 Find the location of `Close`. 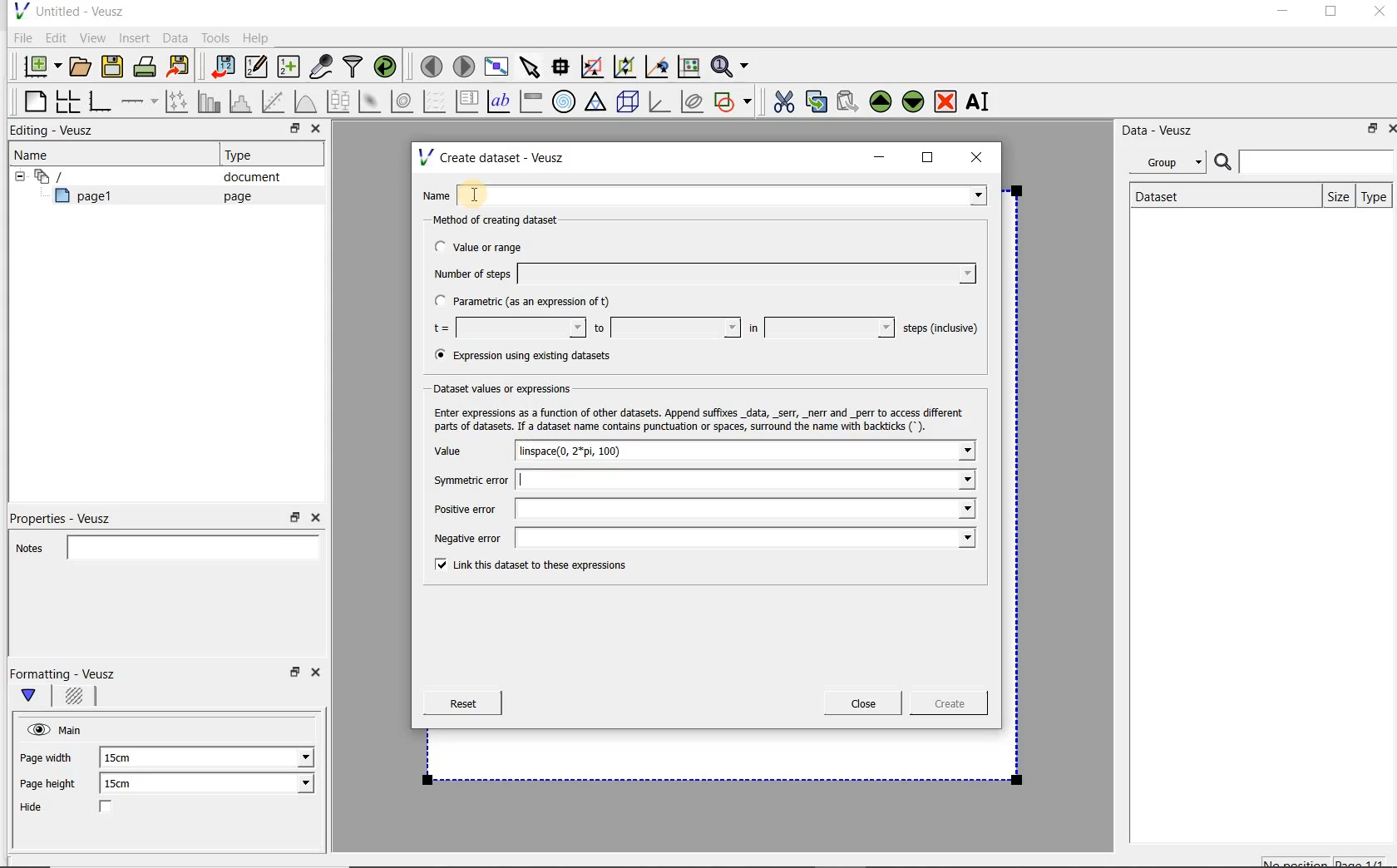

Close is located at coordinates (318, 675).